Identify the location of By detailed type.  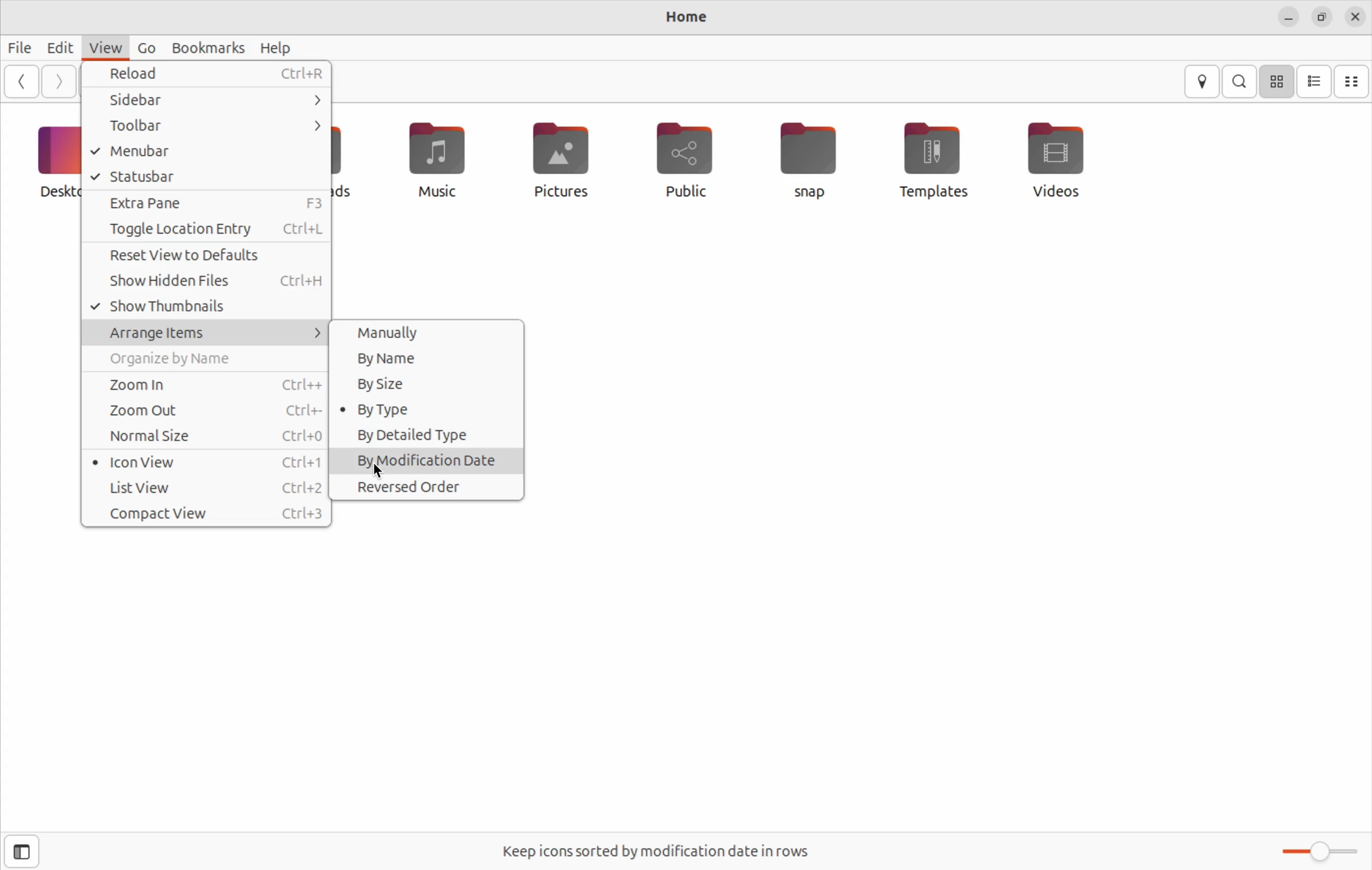
(428, 435).